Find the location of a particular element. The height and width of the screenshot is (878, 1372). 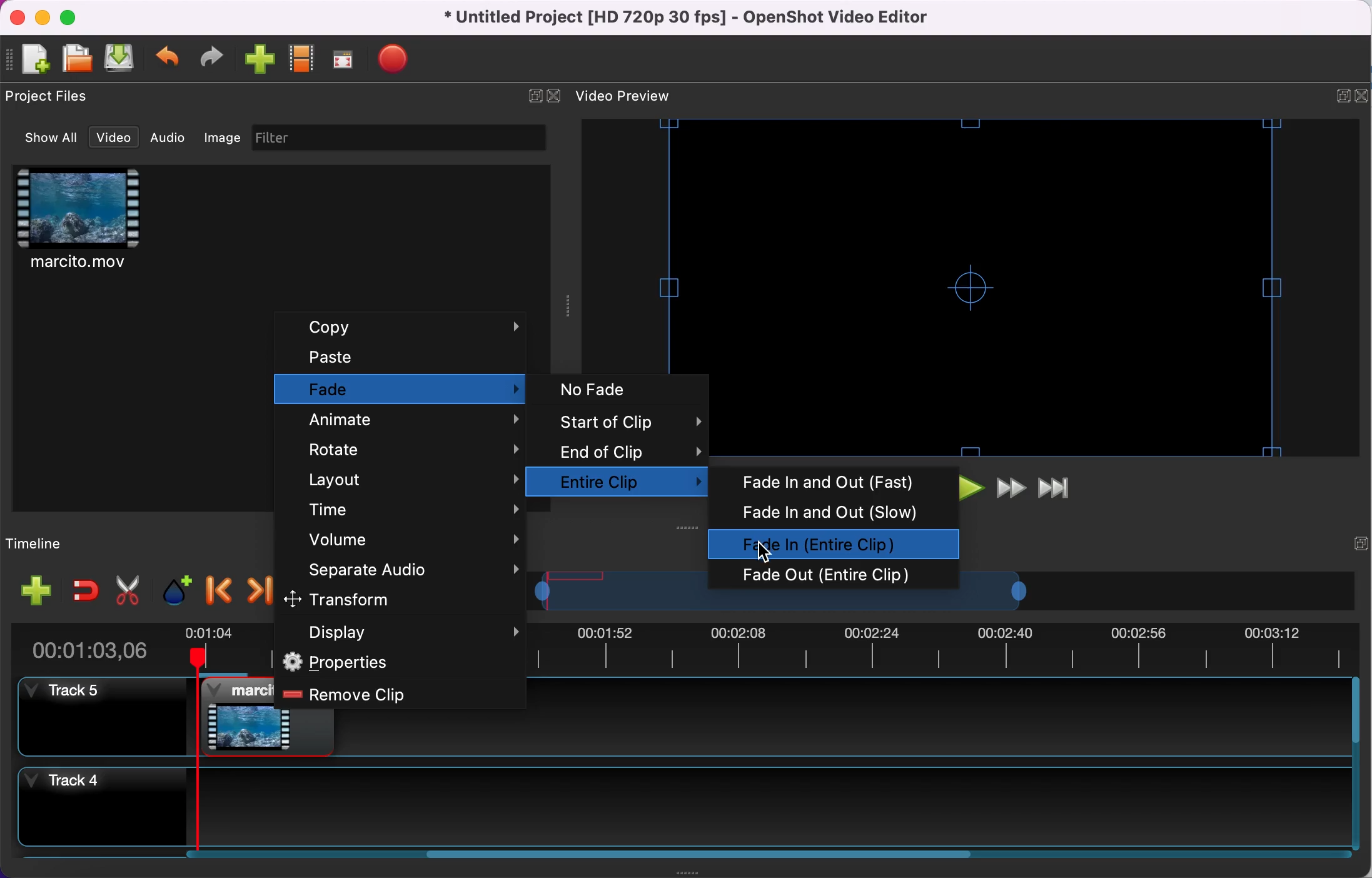

volume is located at coordinates (407, 540).